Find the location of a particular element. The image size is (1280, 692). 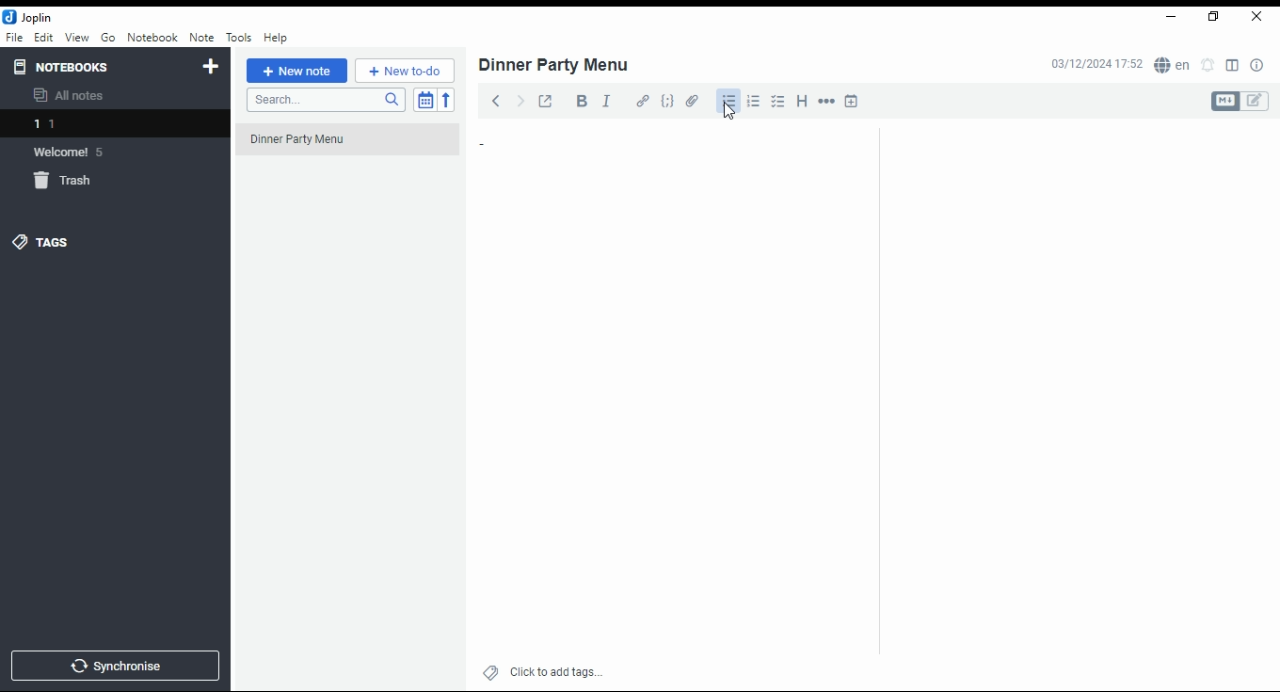

italics is located at coordinates (607, 100).